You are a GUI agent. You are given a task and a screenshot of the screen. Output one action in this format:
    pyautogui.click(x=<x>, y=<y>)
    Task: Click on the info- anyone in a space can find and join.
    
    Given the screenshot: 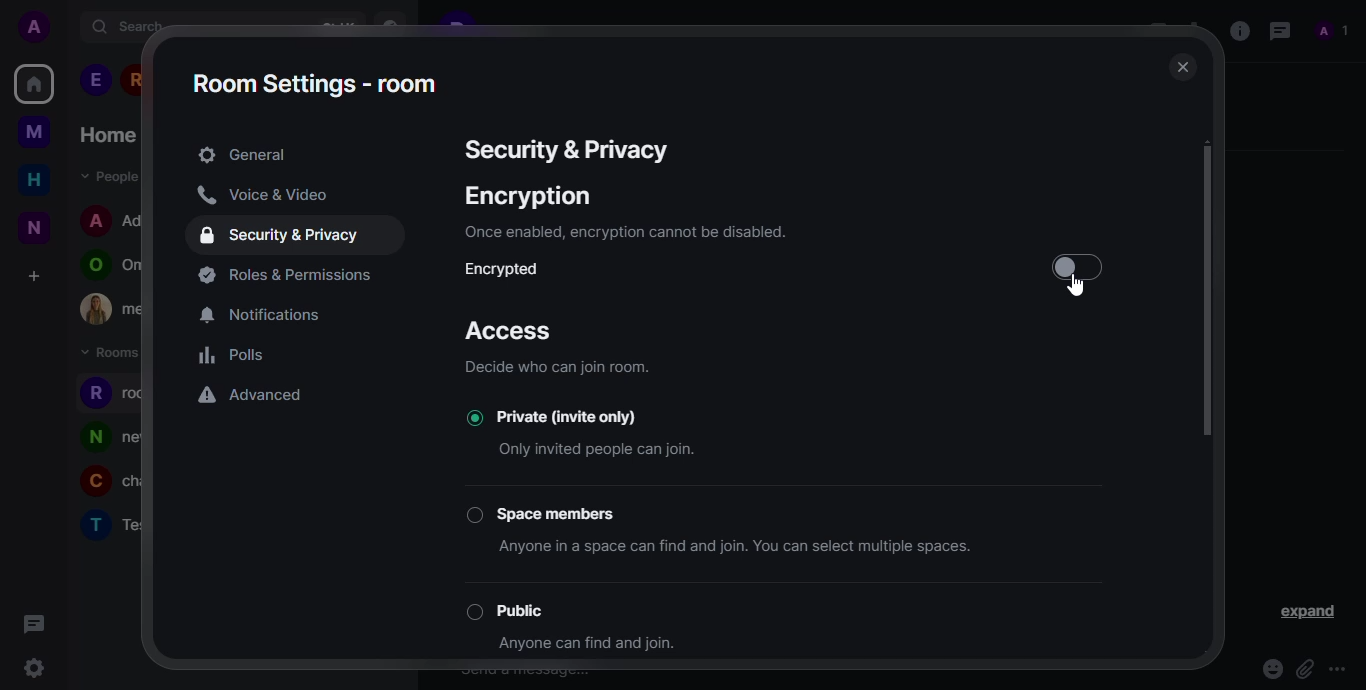 What is the action you would take?
    pyautogui.click(x=733, y=549)
    